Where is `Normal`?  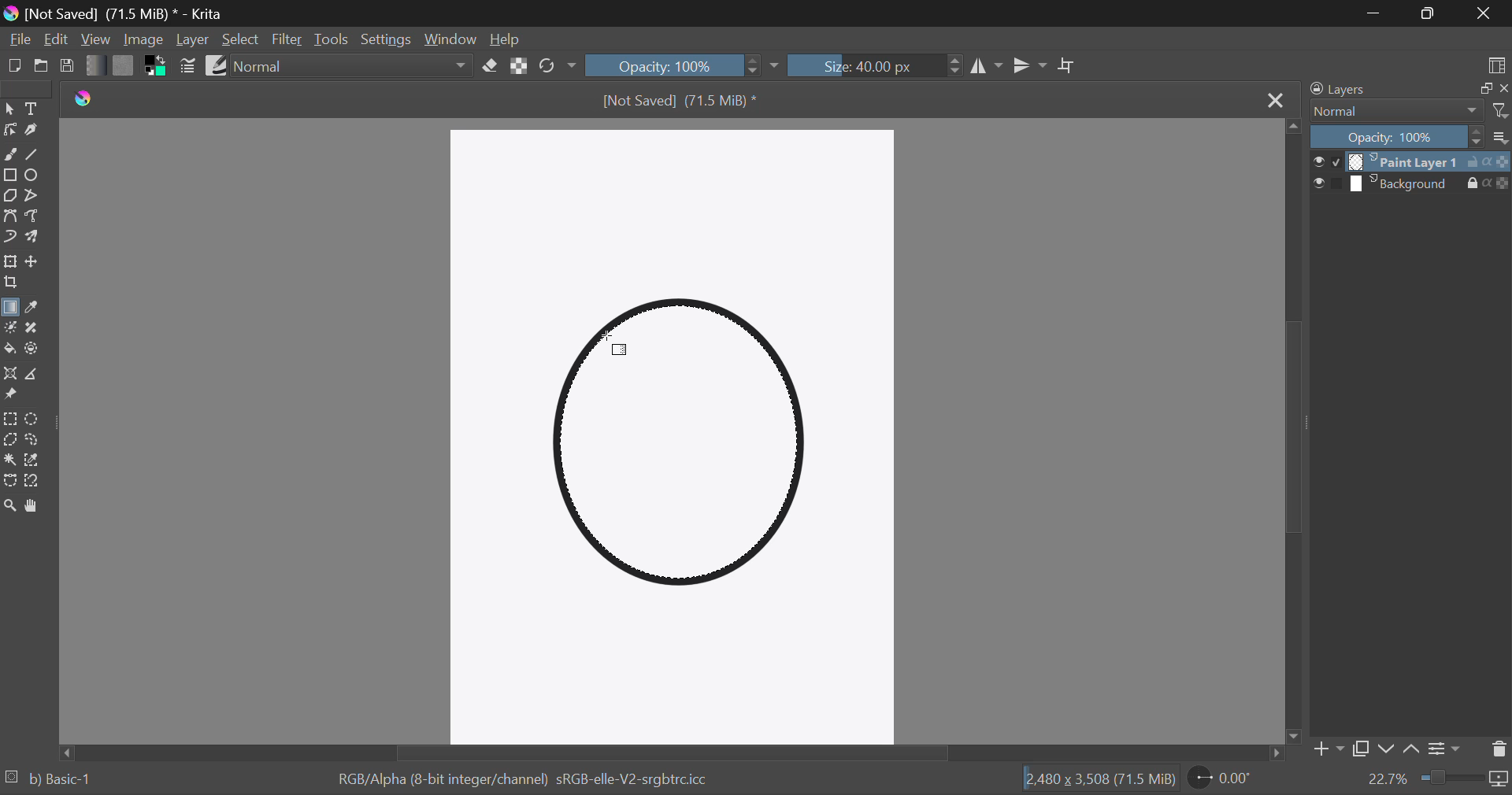 Normal is located at coordinates (1395, 112).